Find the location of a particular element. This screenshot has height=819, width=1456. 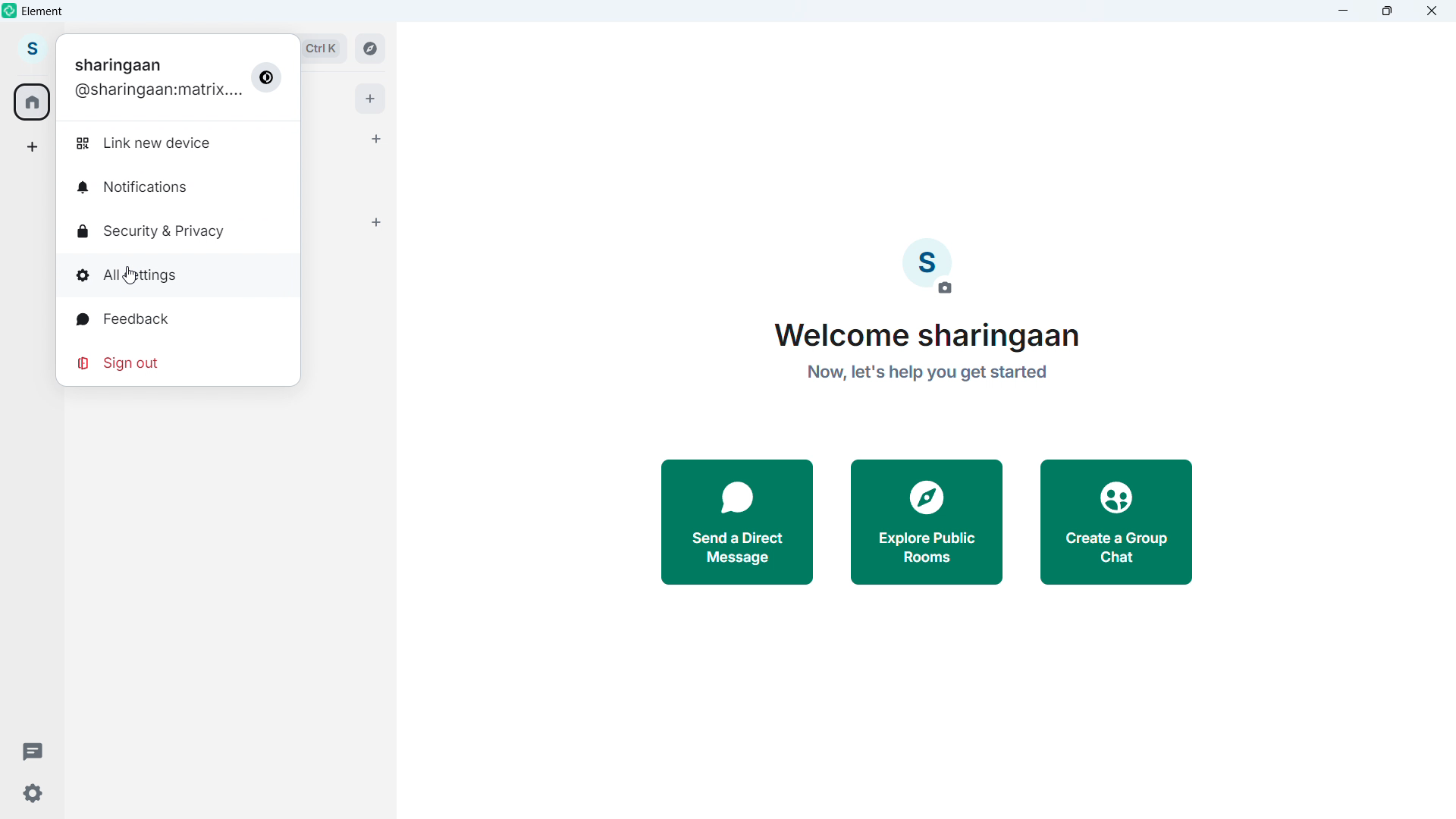

Notifications  is located at coordinates (146, 188).